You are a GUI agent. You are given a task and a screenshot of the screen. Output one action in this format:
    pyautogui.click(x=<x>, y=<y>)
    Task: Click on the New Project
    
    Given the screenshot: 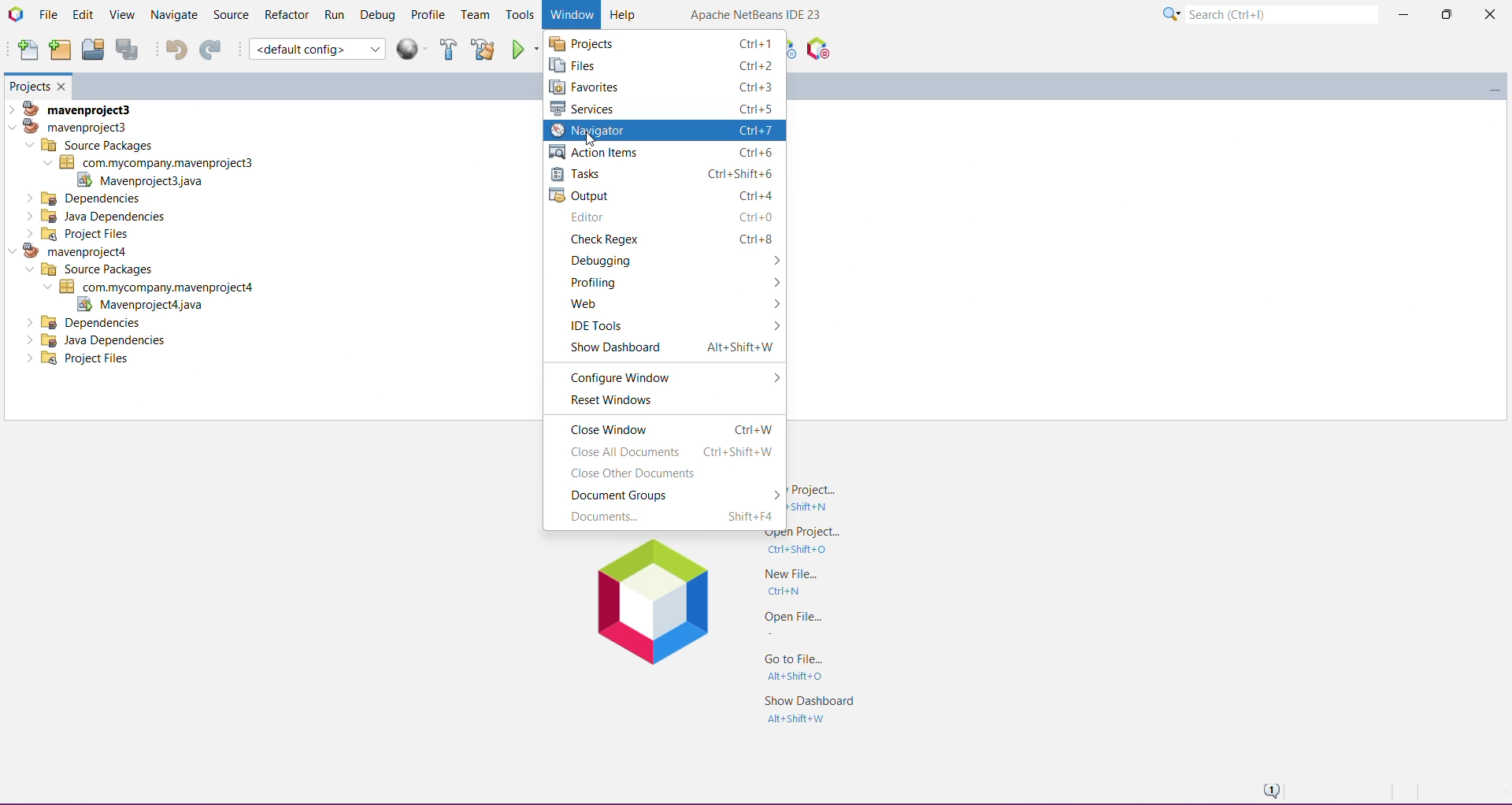 What is the action you would take?
    pyautogui.click(x=59, y=50)
    